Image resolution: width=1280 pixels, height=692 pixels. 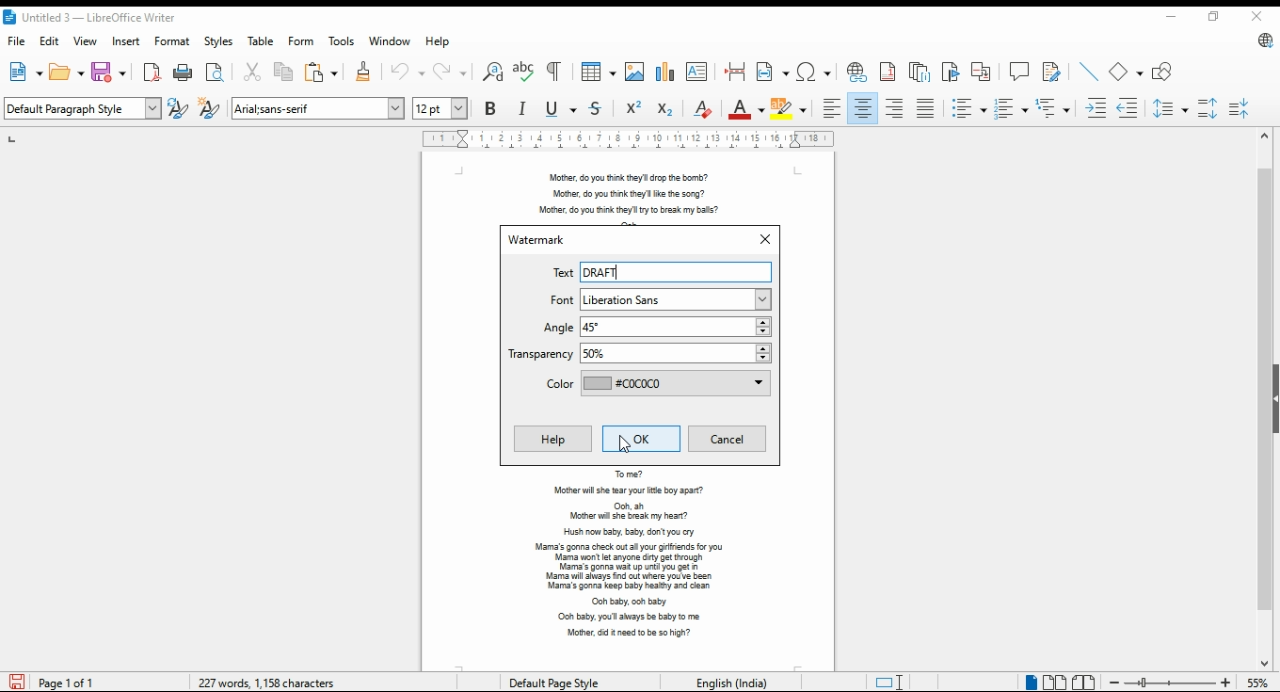 What do you see at coordinates (527, 72) in the screenshot?
I see `check spelling` at bounding box center [527, 72].